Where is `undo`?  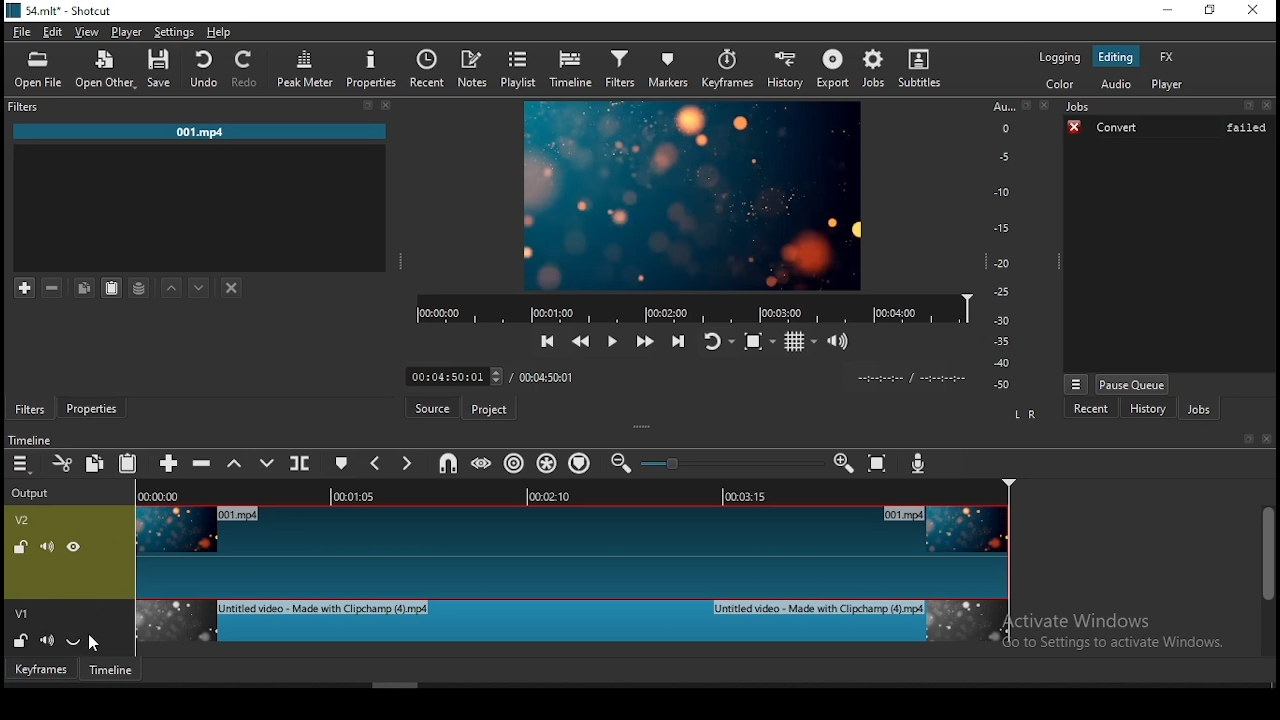
undo is located at coordinates (203, 71).